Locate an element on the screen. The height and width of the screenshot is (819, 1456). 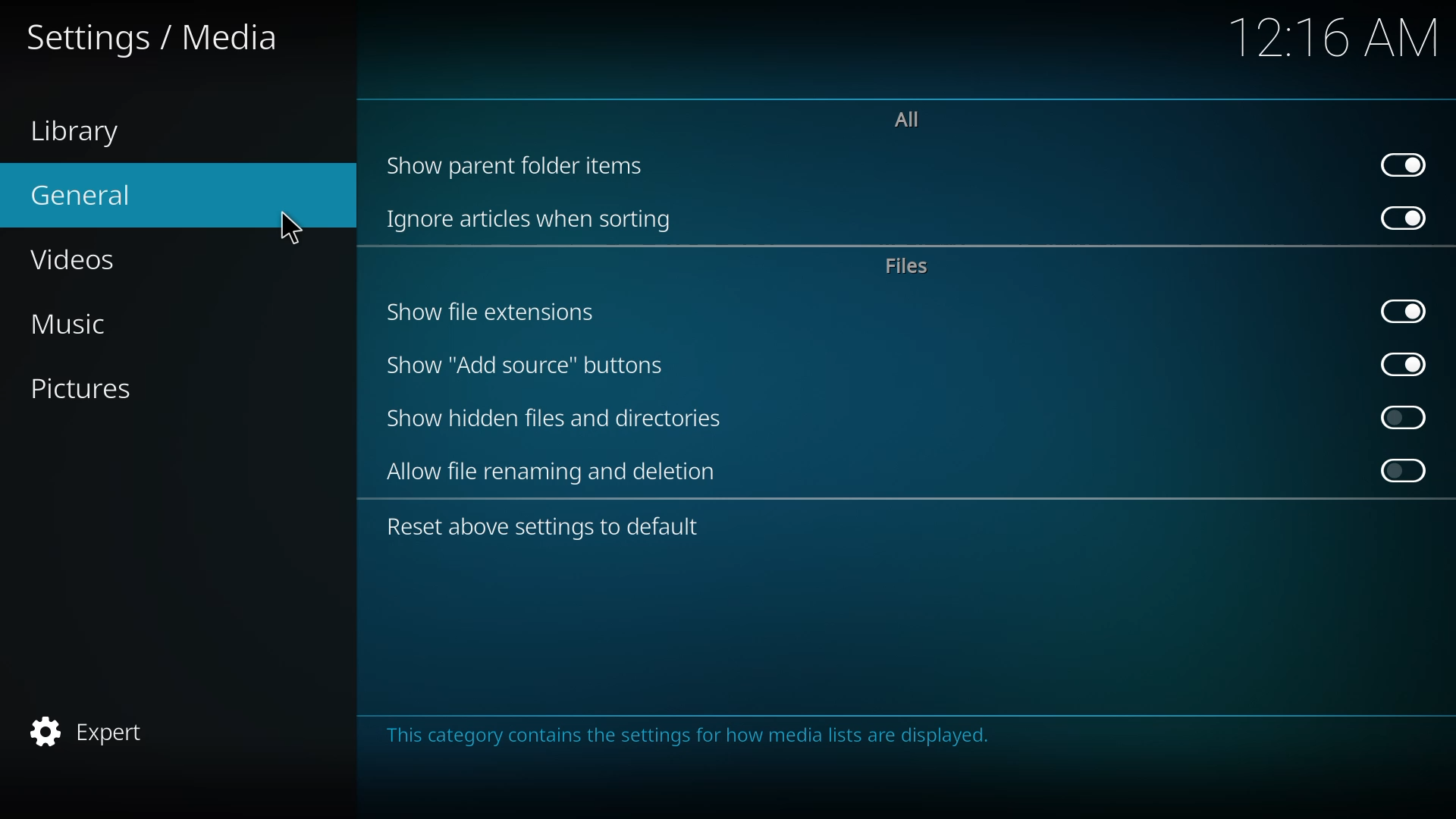
disabled is located at coordinates (1404, 471).